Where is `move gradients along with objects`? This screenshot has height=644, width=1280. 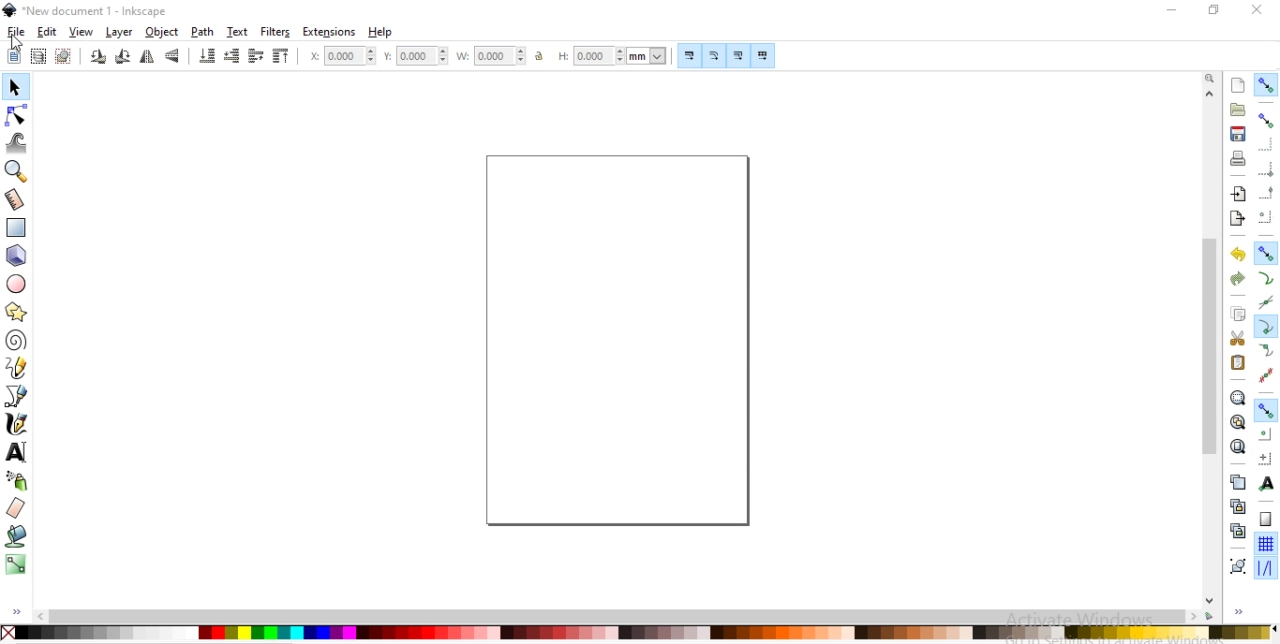
move gradients along with objects is located at coordinates (737, 57).